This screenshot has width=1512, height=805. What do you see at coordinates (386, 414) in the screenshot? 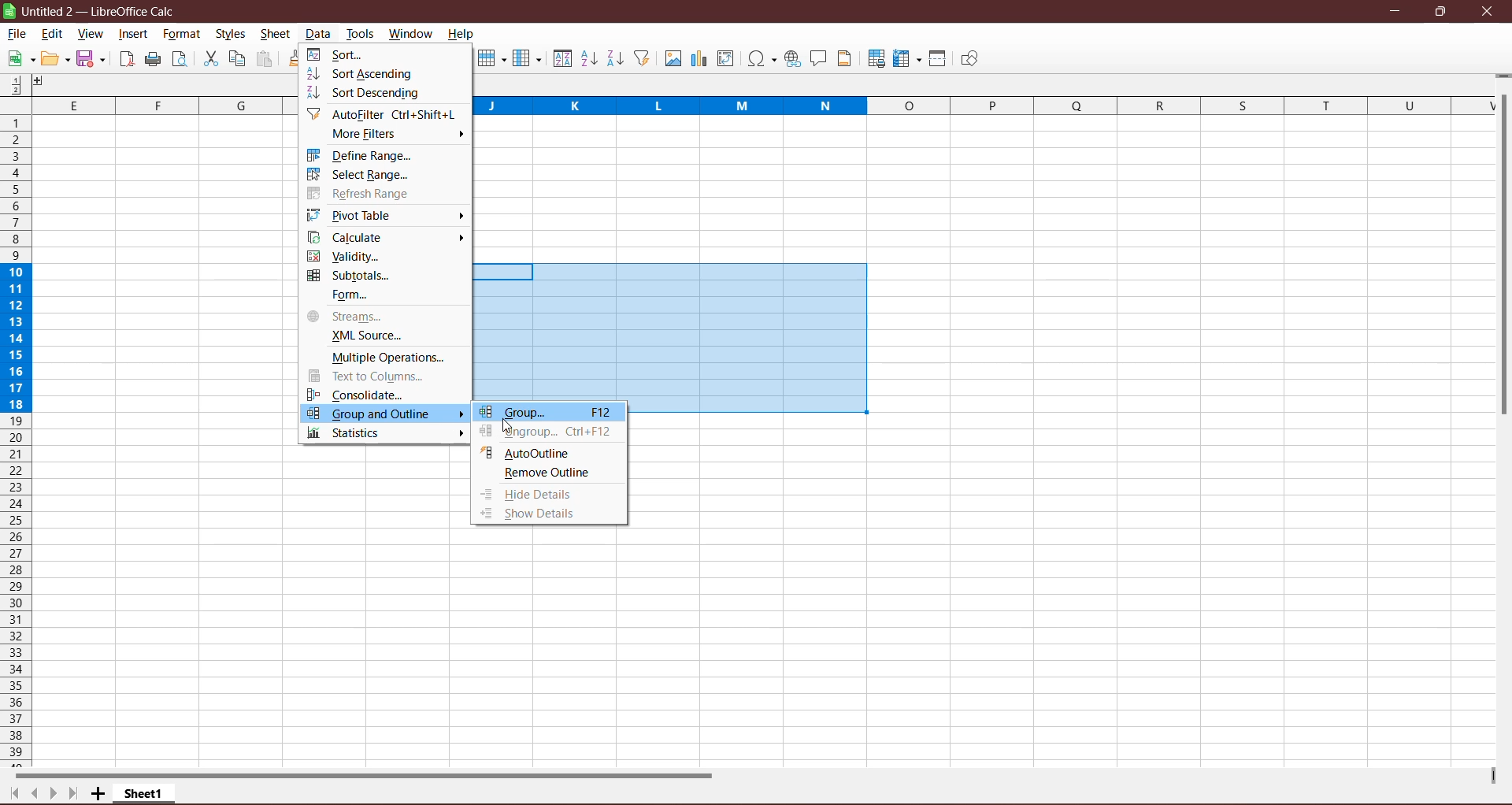
I see `Group and Outline` at bounding box center [386, 414].